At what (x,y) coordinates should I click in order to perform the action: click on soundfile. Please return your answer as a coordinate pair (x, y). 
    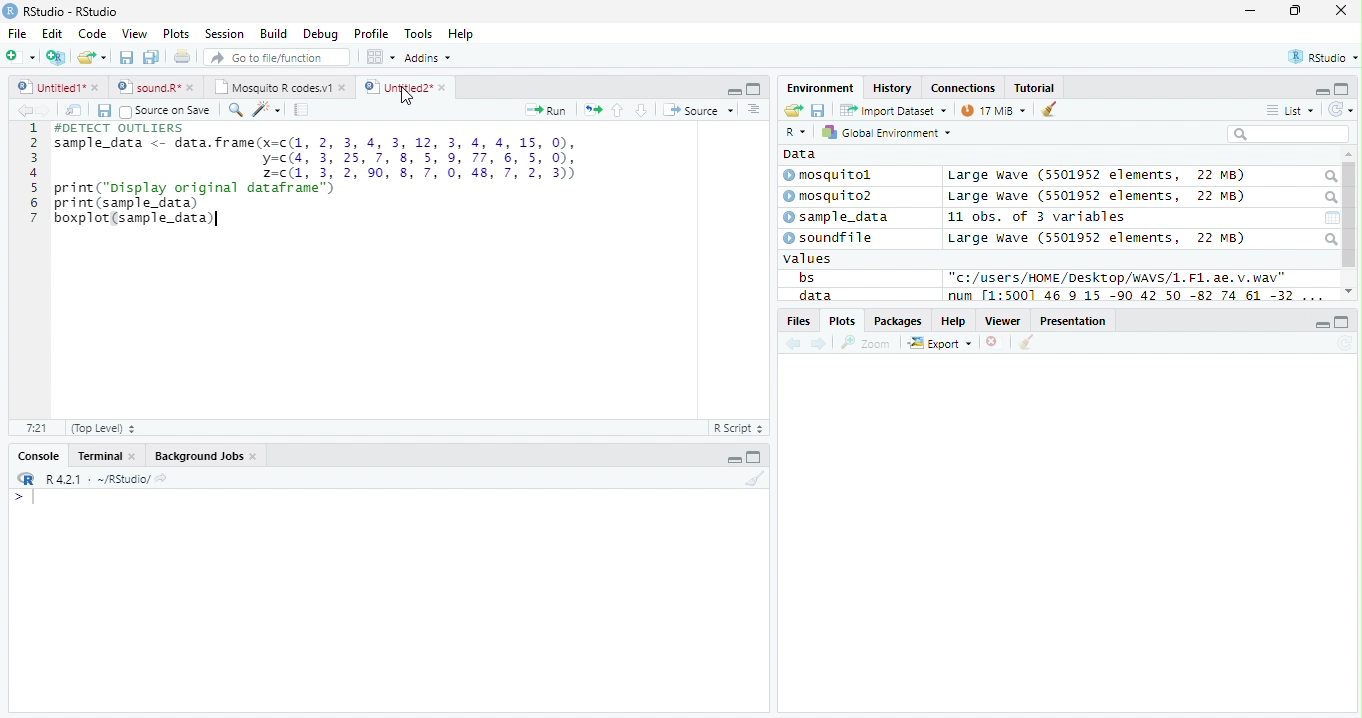
    Looking at the image, I should click on (829, 238).